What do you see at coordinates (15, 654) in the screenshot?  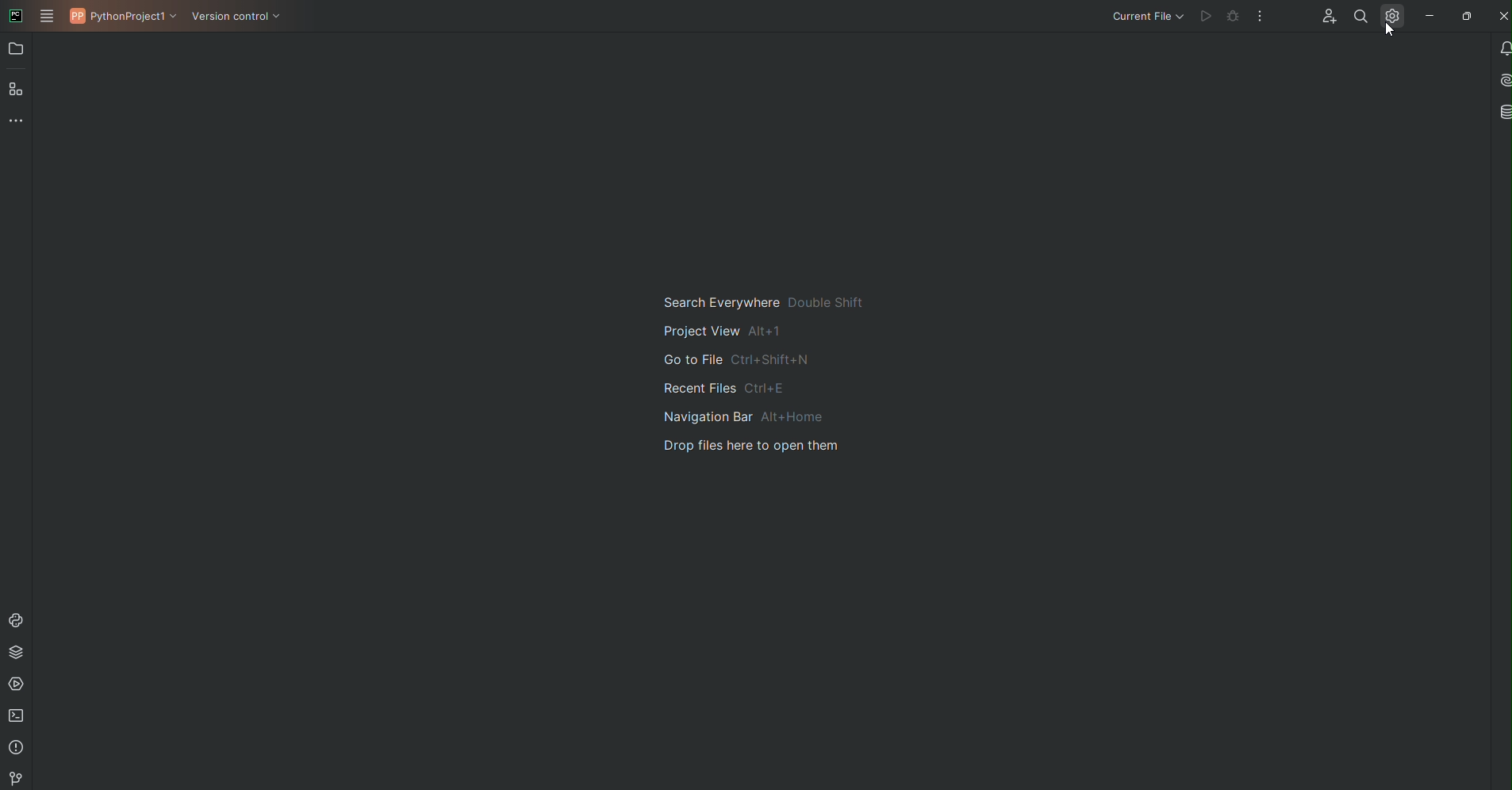 I see `Packages` at bounding box center [15, 654].